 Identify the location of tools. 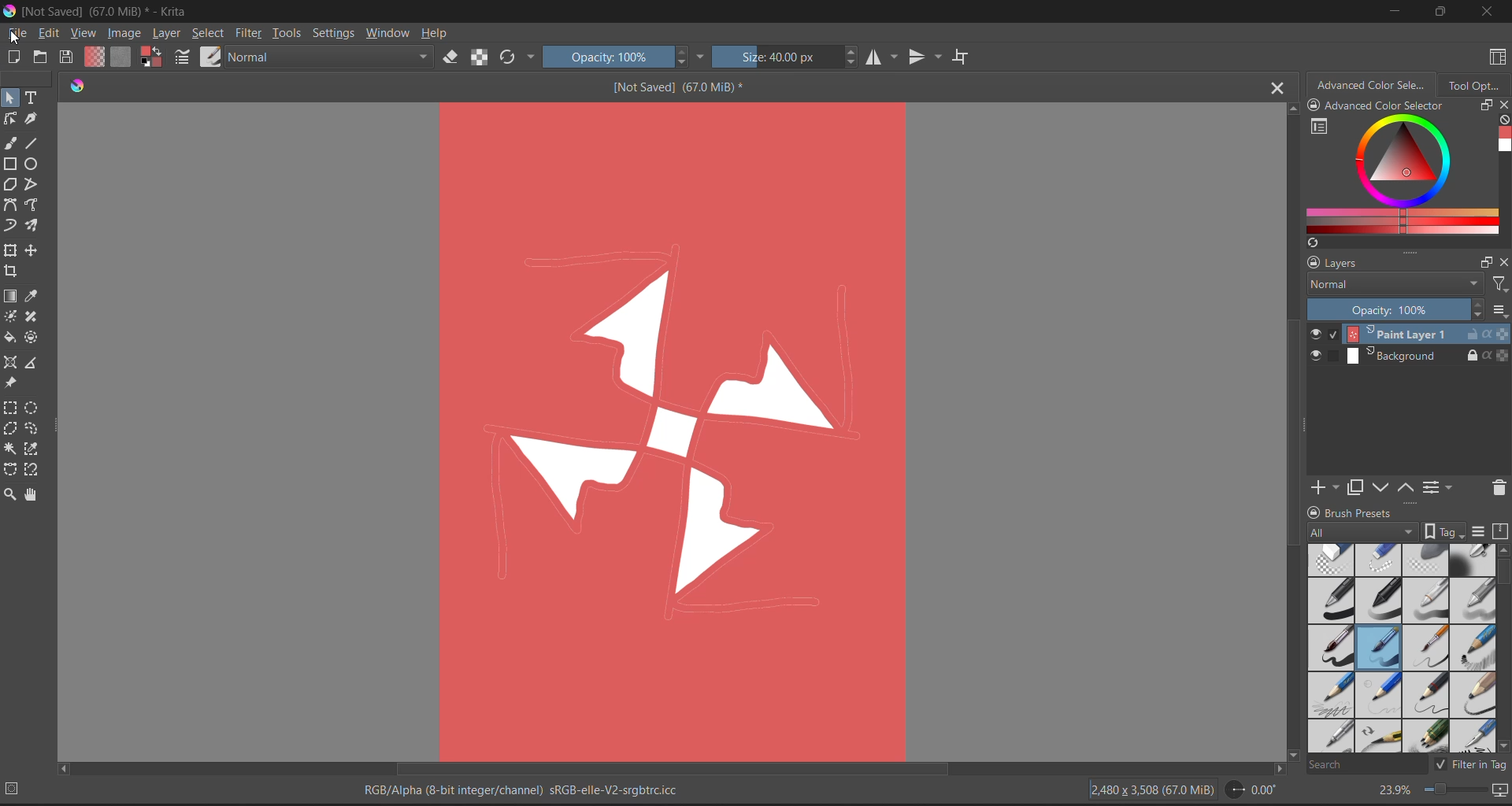
(9, 449).